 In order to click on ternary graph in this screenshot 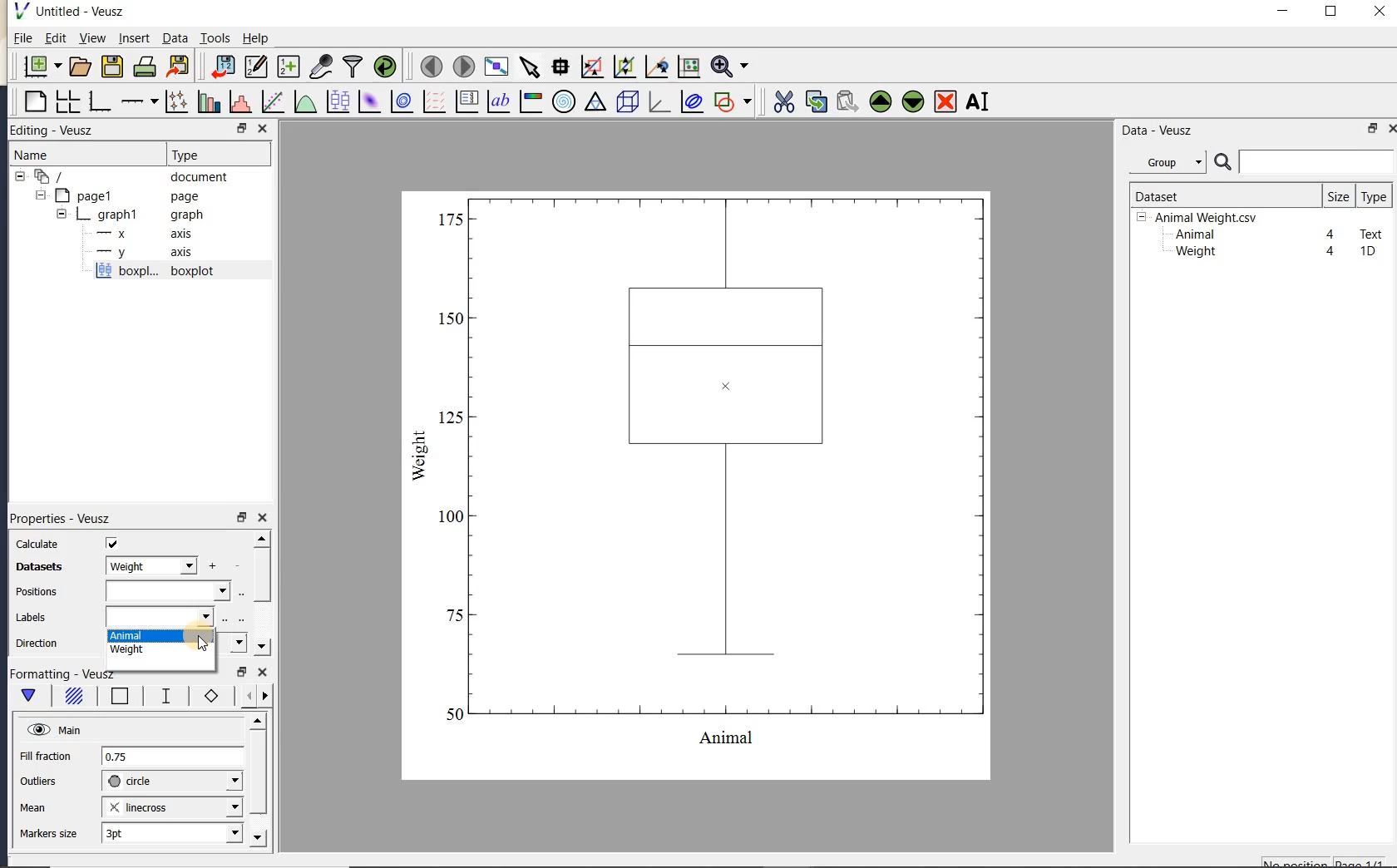, I will do `click(595, 104)`.